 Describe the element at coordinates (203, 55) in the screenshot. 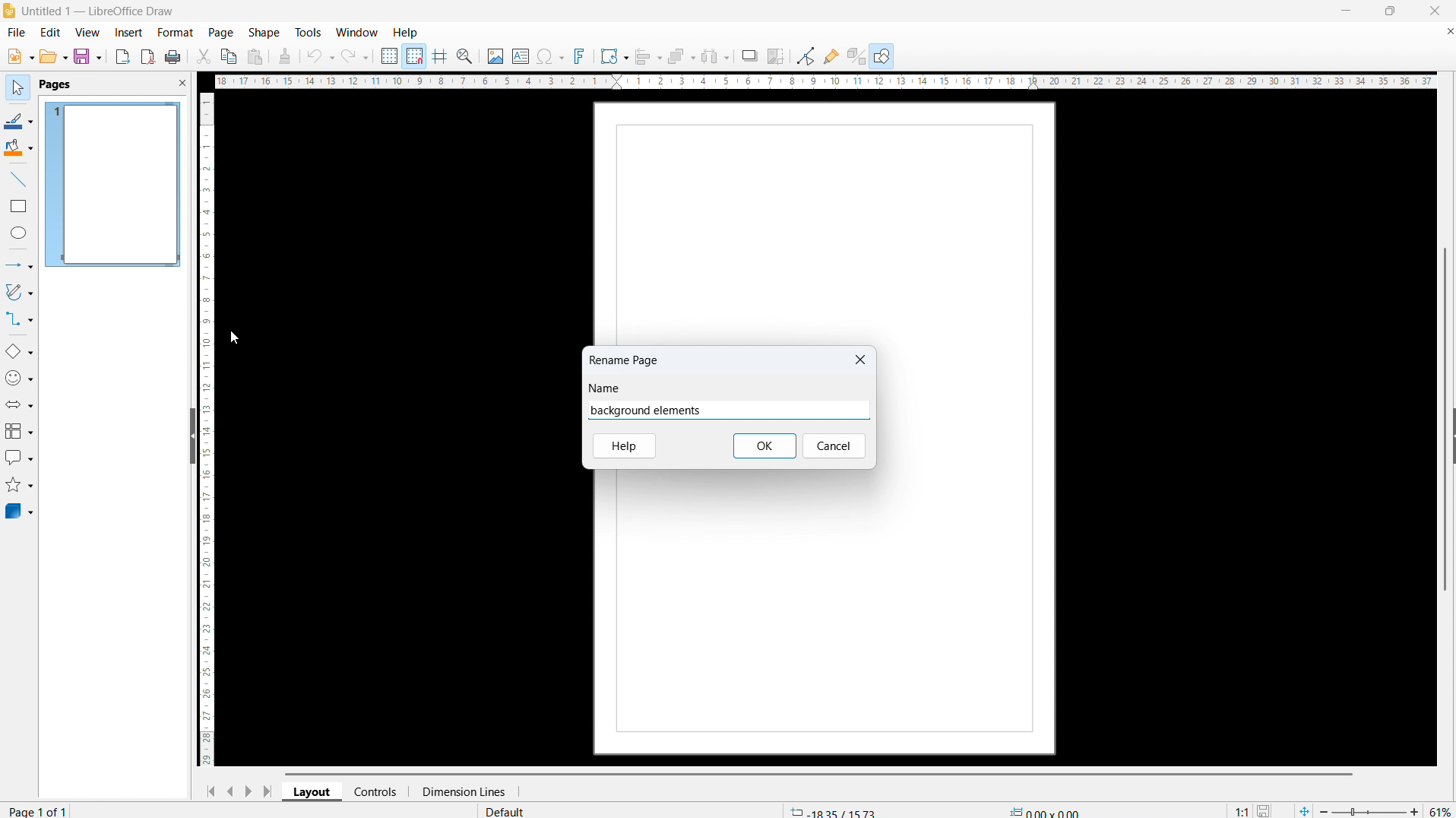

I see `cut` at that location.